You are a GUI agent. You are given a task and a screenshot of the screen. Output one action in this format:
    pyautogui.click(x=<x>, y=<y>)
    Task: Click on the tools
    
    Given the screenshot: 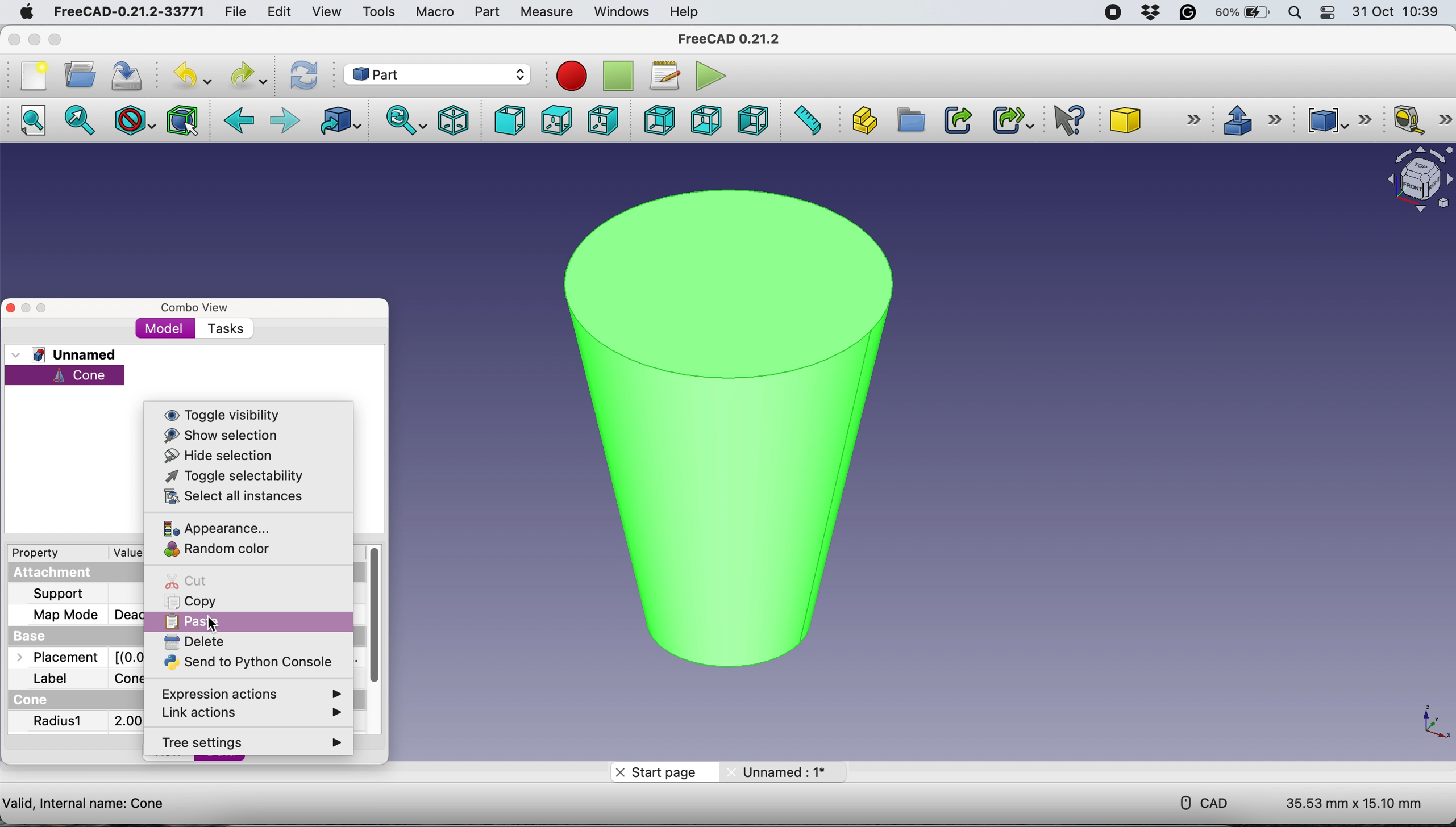 What is the action you would take?
    pyautogui.click(x=379, y=12)
    